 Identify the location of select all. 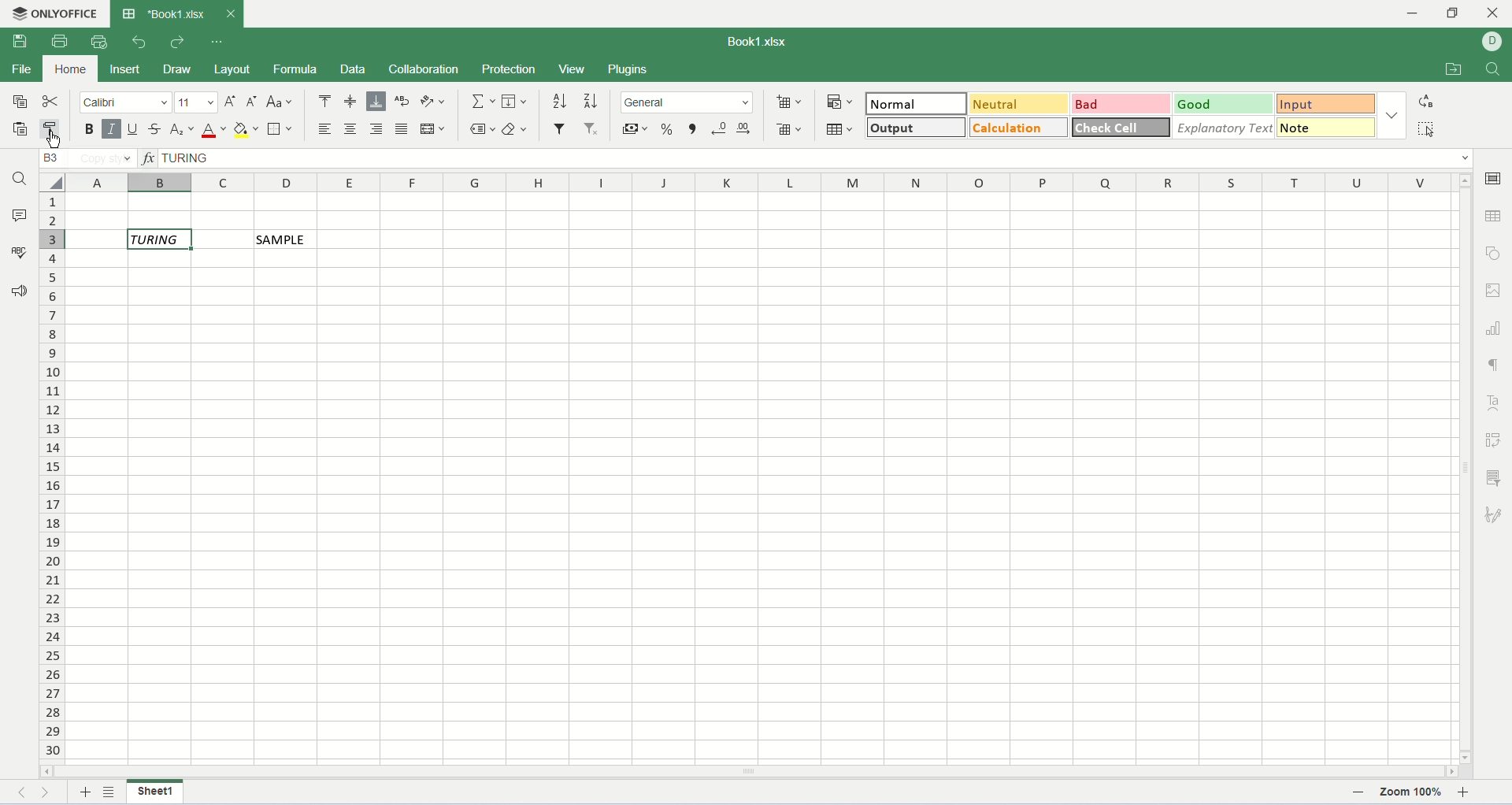
(51, 182).